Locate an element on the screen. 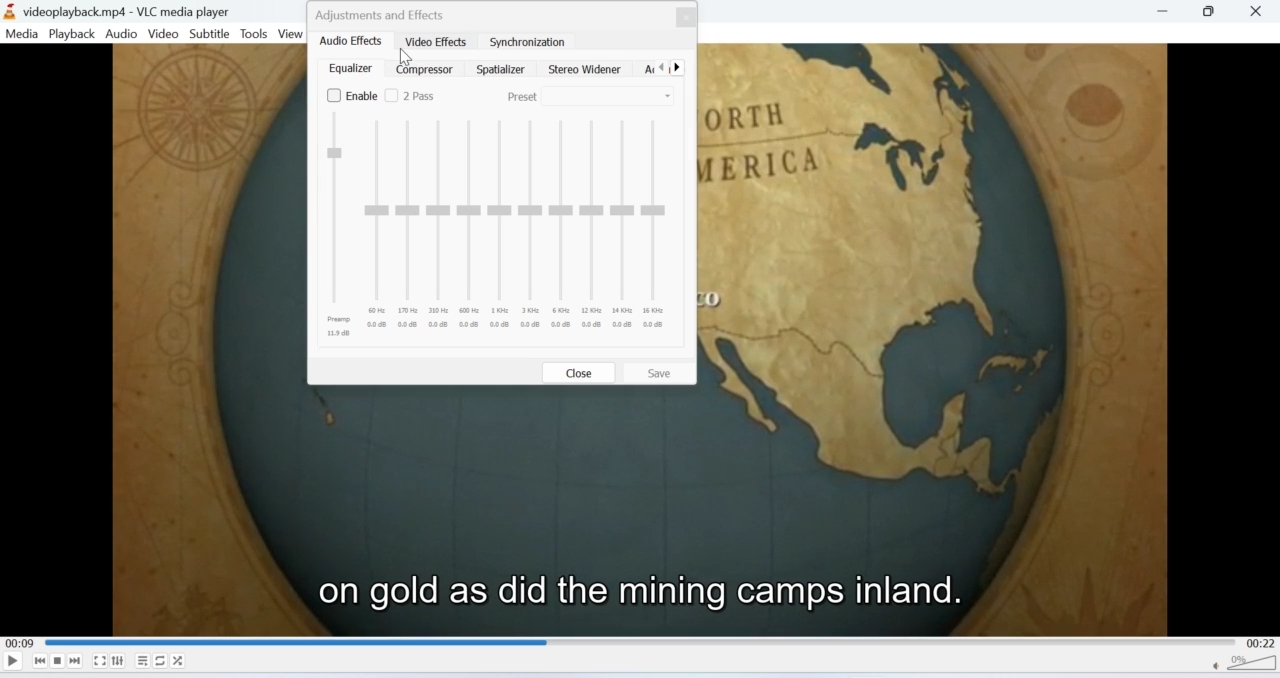 This screenshot has width=1280, height=678. spatializer is located at coordinates (497, 70).